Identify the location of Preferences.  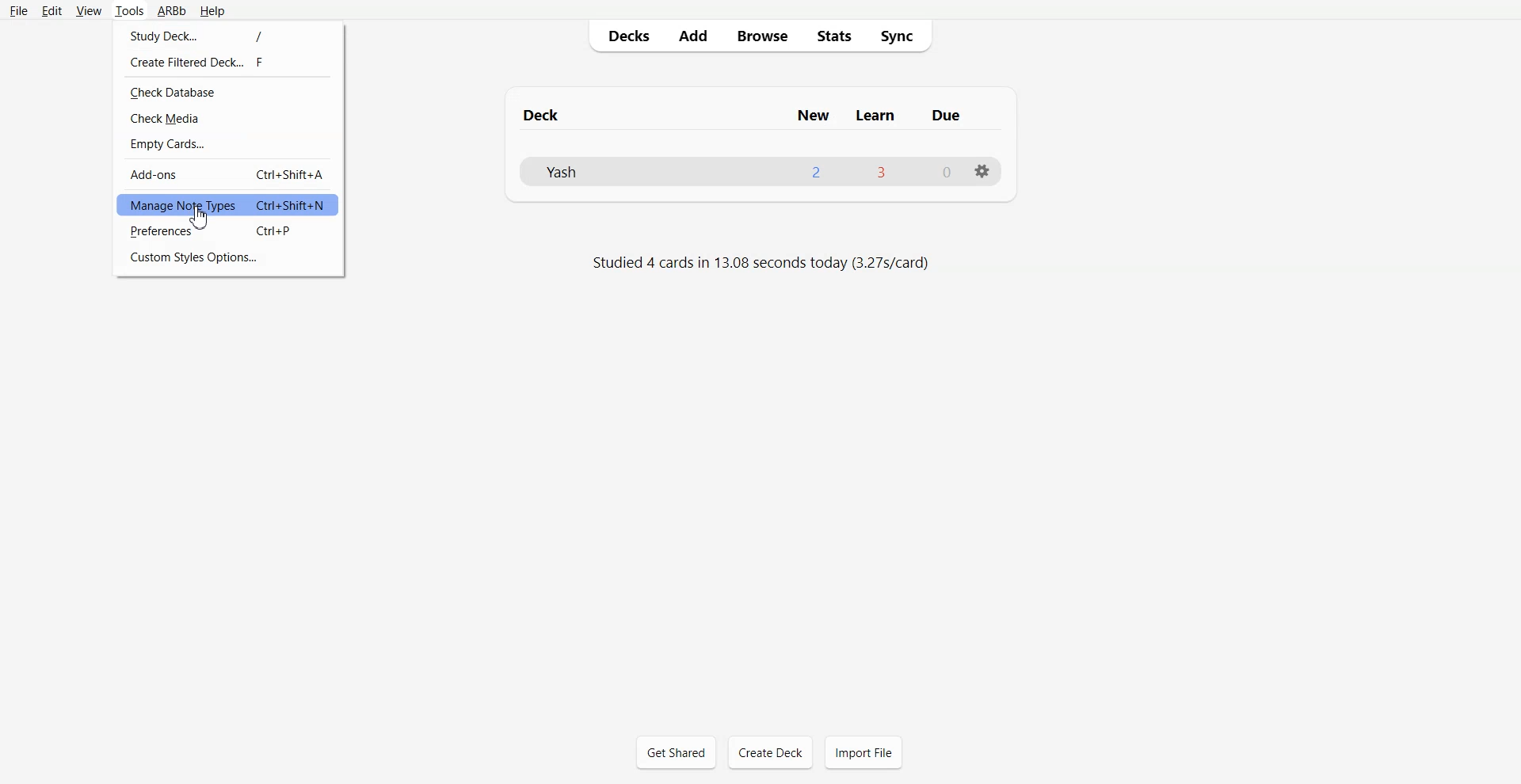
(228, 231).